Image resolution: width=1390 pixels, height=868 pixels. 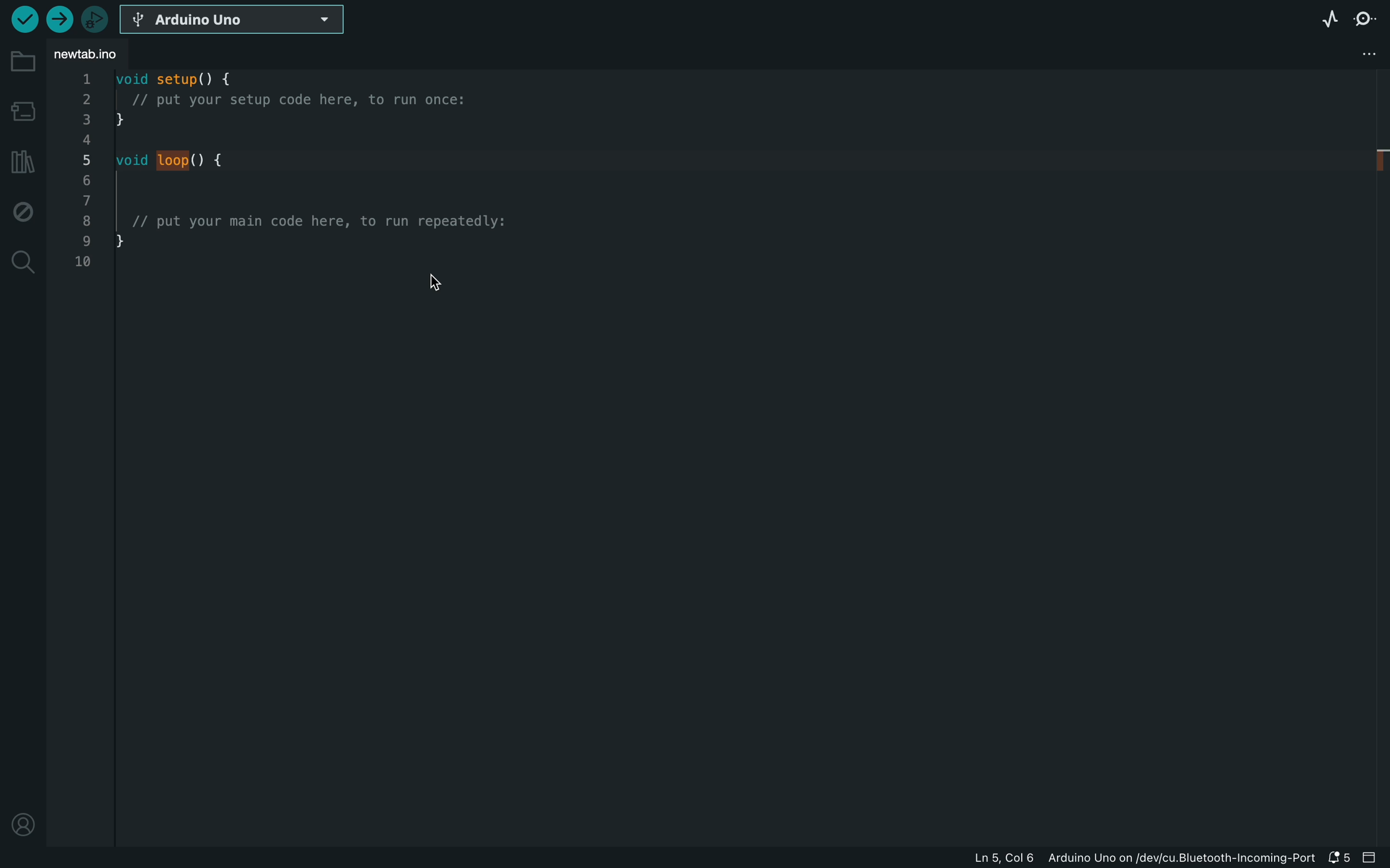 I want to click on folder, so click(x=24, y=62).